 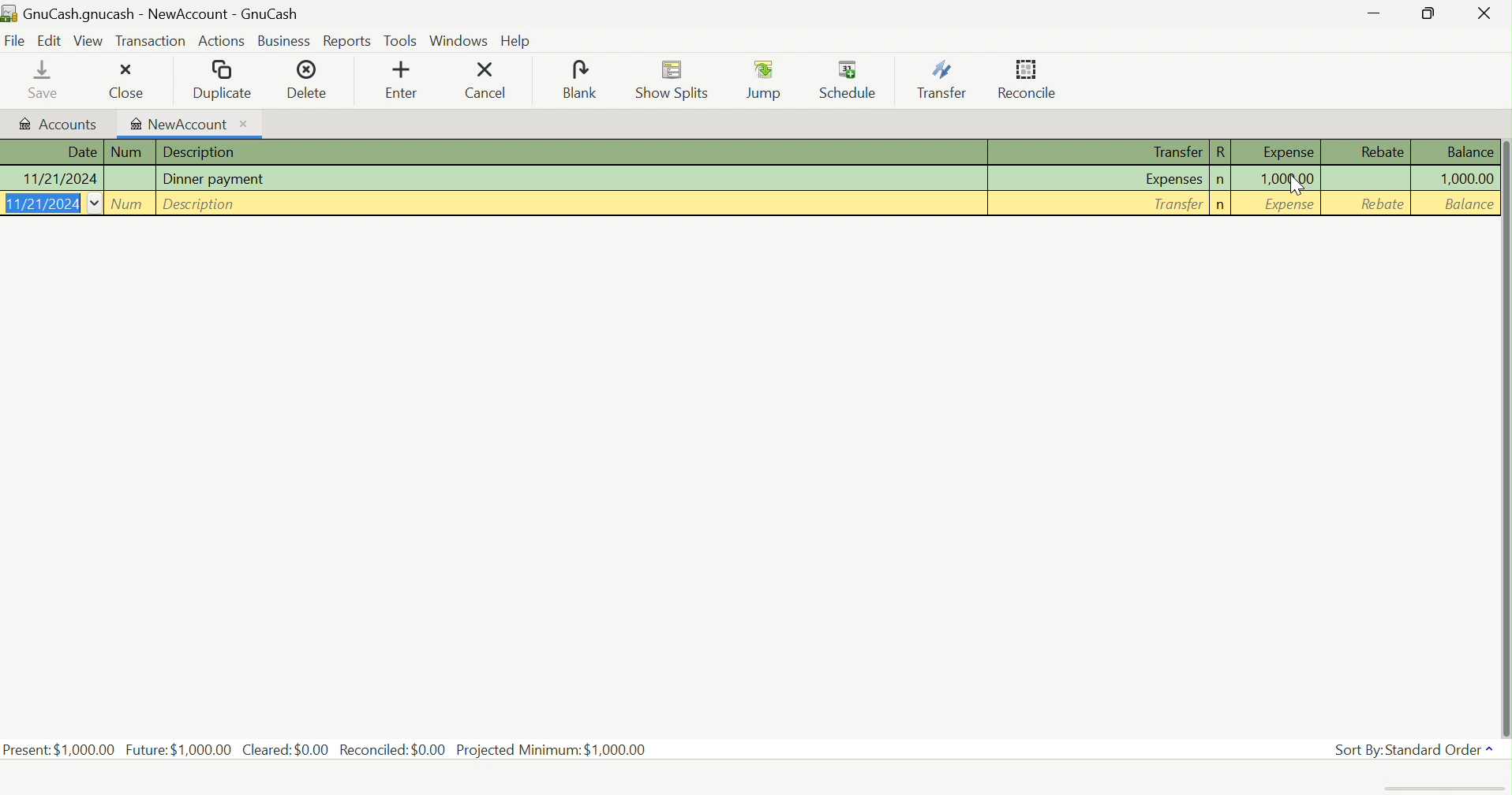 I want to click on Tools, so click(x=401, y=40).